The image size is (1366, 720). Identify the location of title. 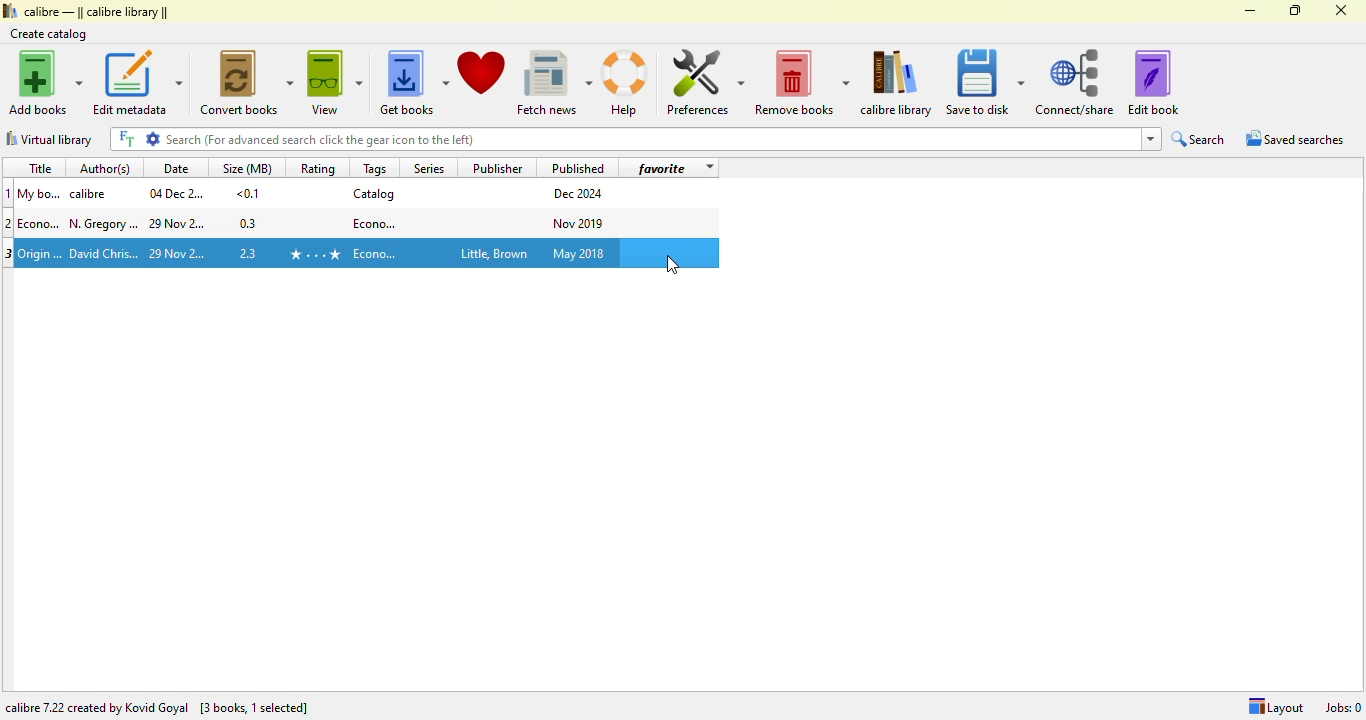
(41, 223).